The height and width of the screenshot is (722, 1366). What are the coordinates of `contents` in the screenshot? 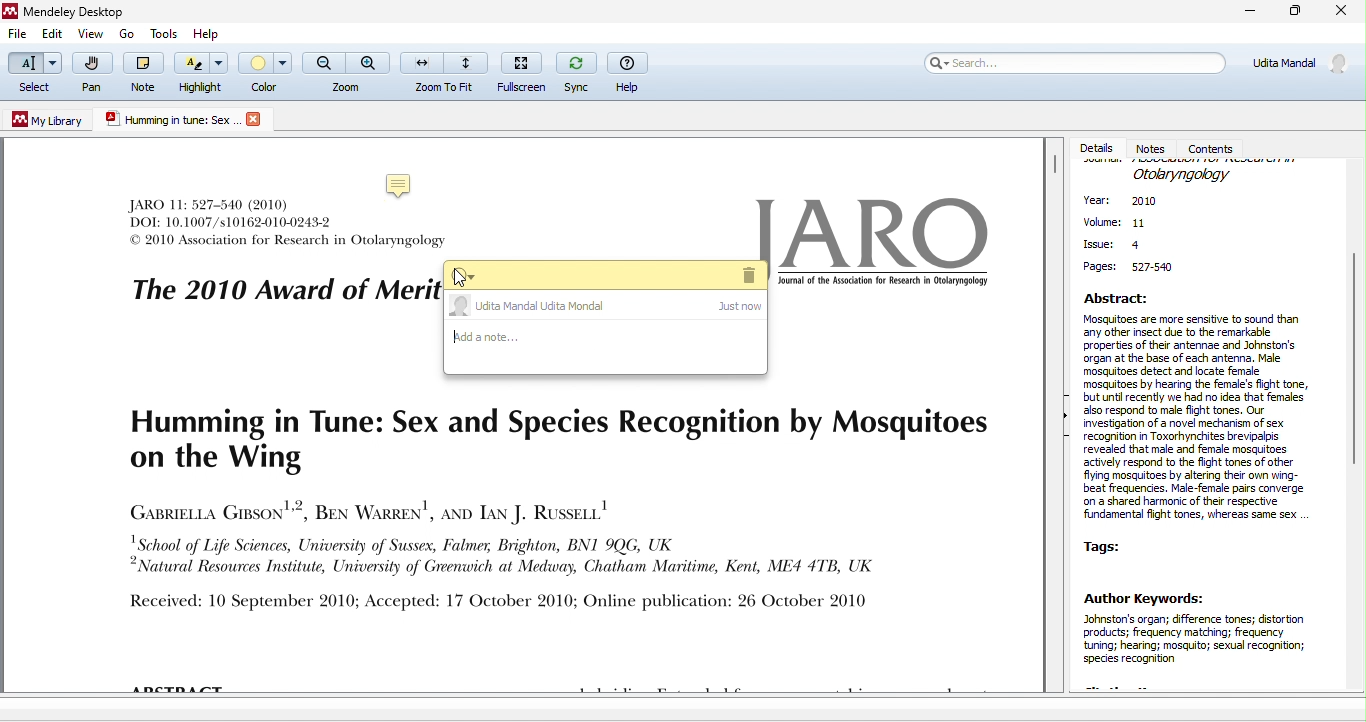 It's located at (1215, 147).